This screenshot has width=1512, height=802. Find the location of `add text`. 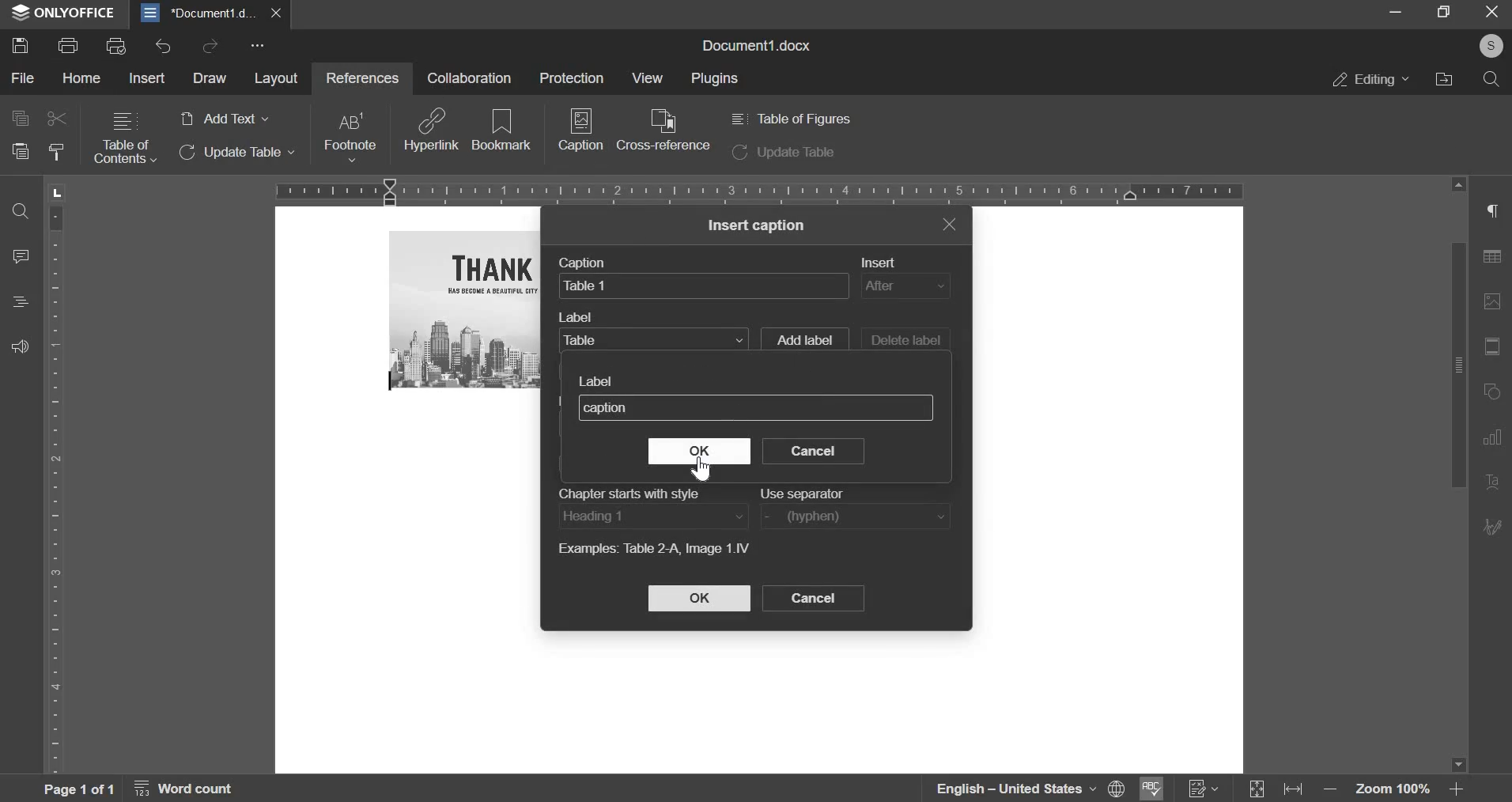

add text is located at coordinates (223, 119).